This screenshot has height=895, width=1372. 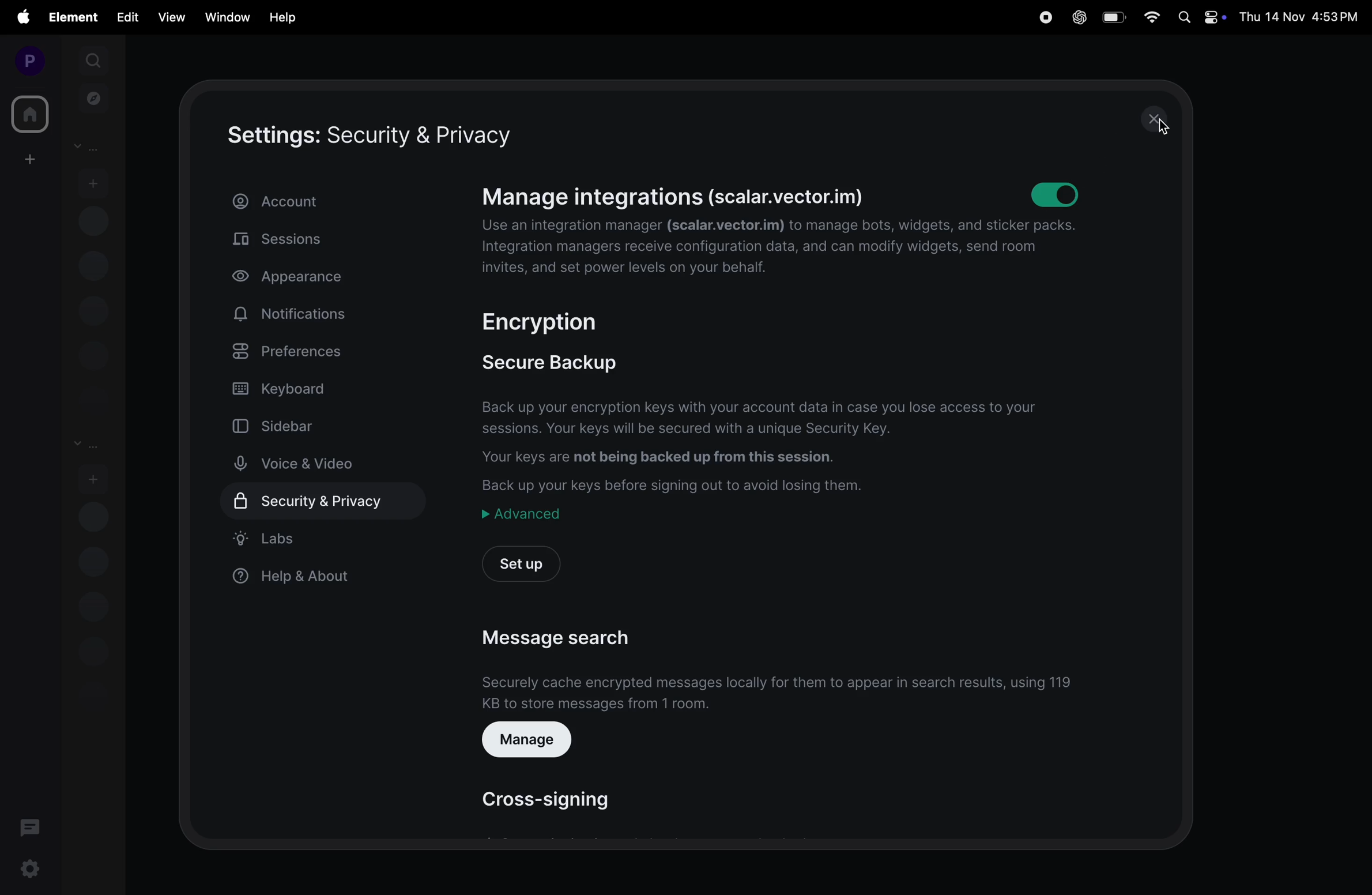 I want to click on cursor, so click(x=1163, y=127).